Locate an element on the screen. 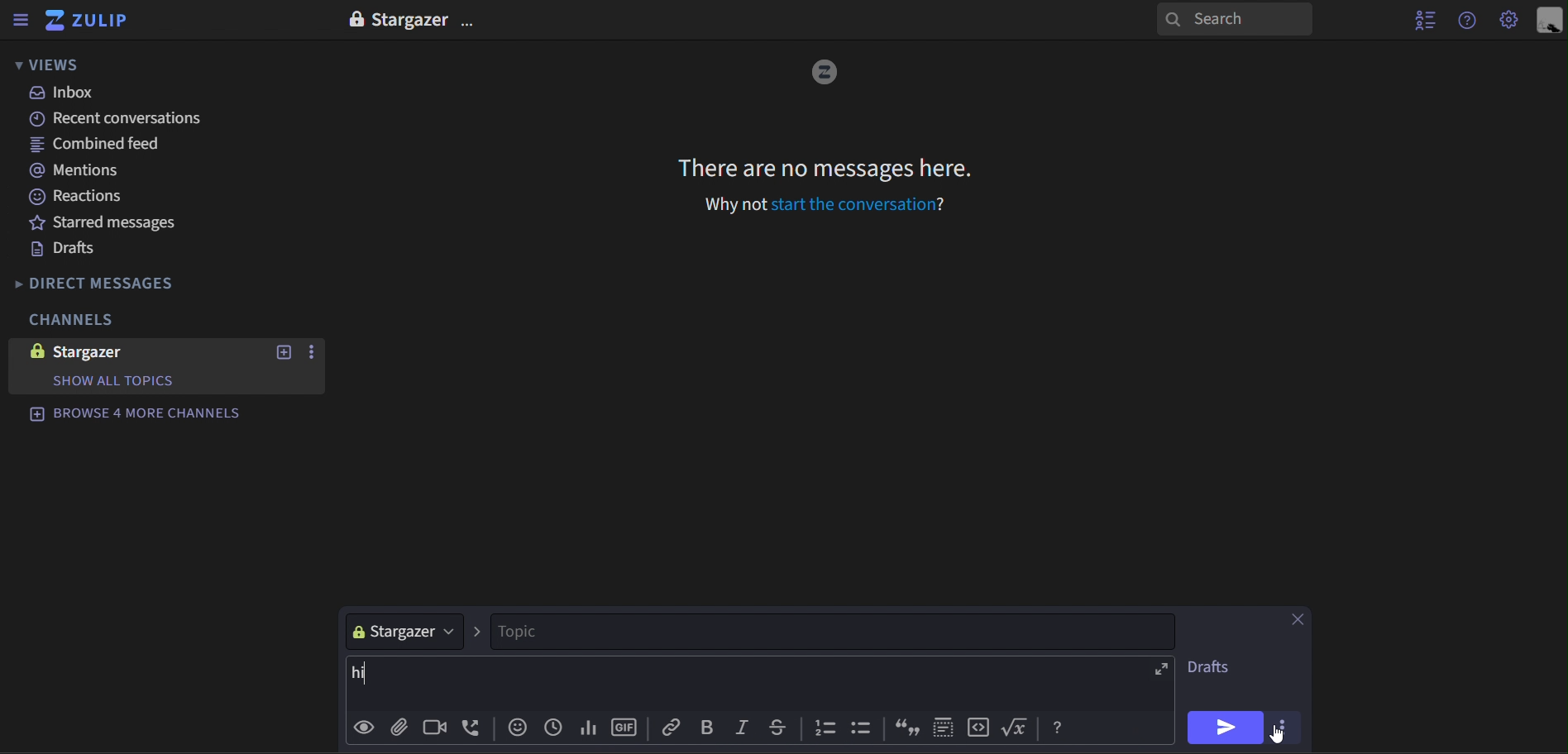 This screenshot has width=1568, height=754. counting bullets is located at coordinates (825, 728).